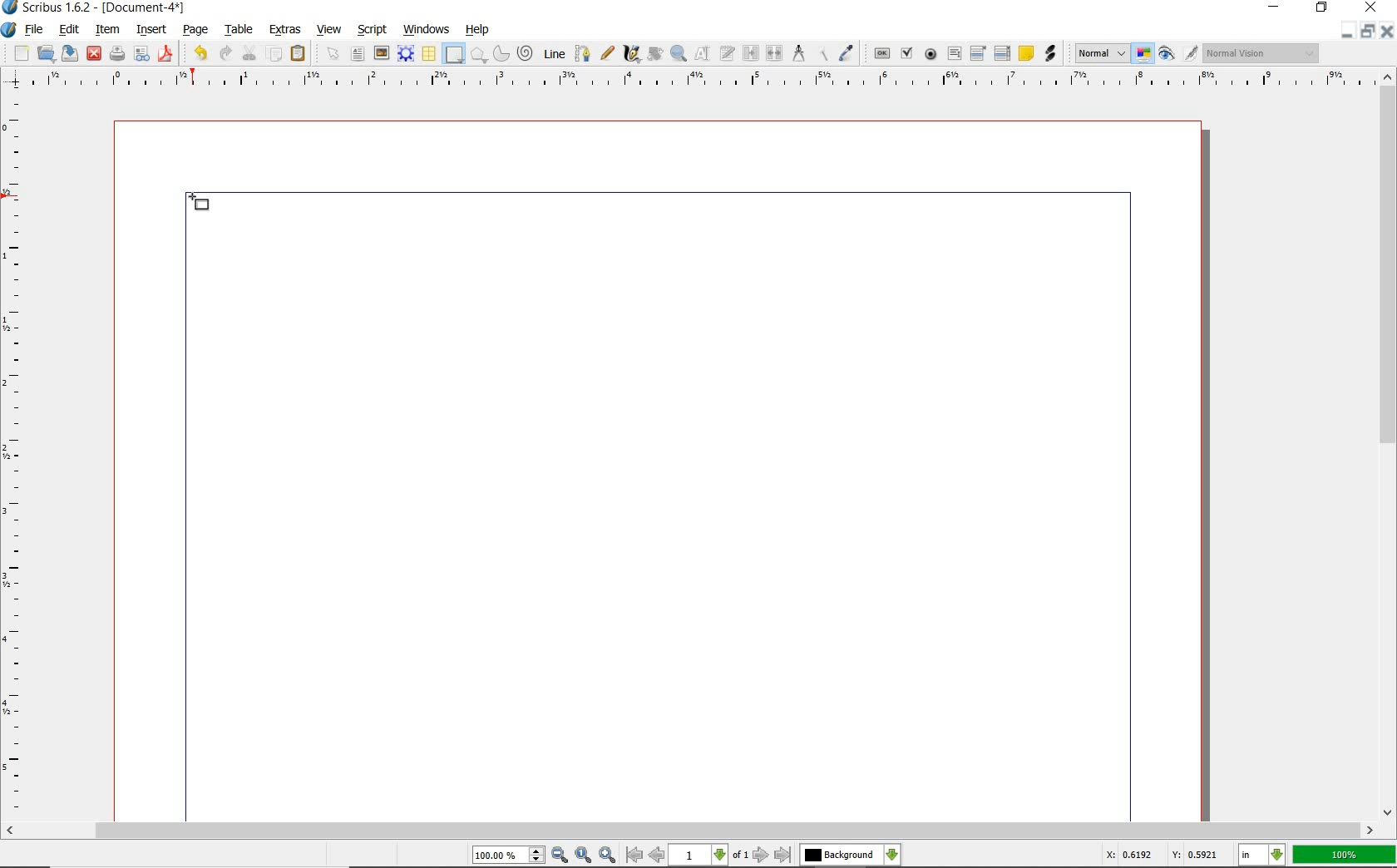  Describe the element at coordinates (142, 54) in the screenshot. I see `preflight verifier` at that location.